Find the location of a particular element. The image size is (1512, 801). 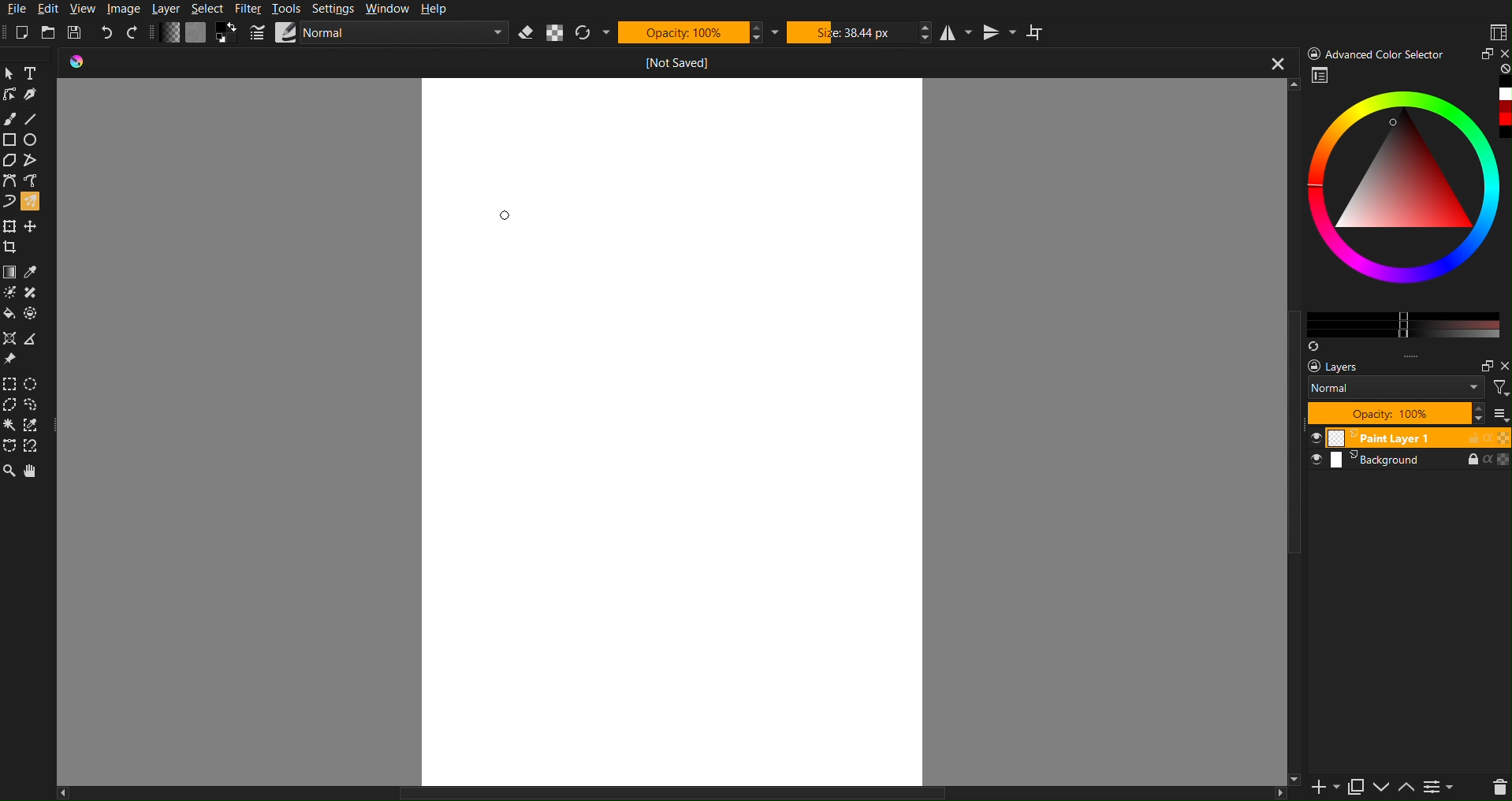

more is located at coordinates (1502, 415).